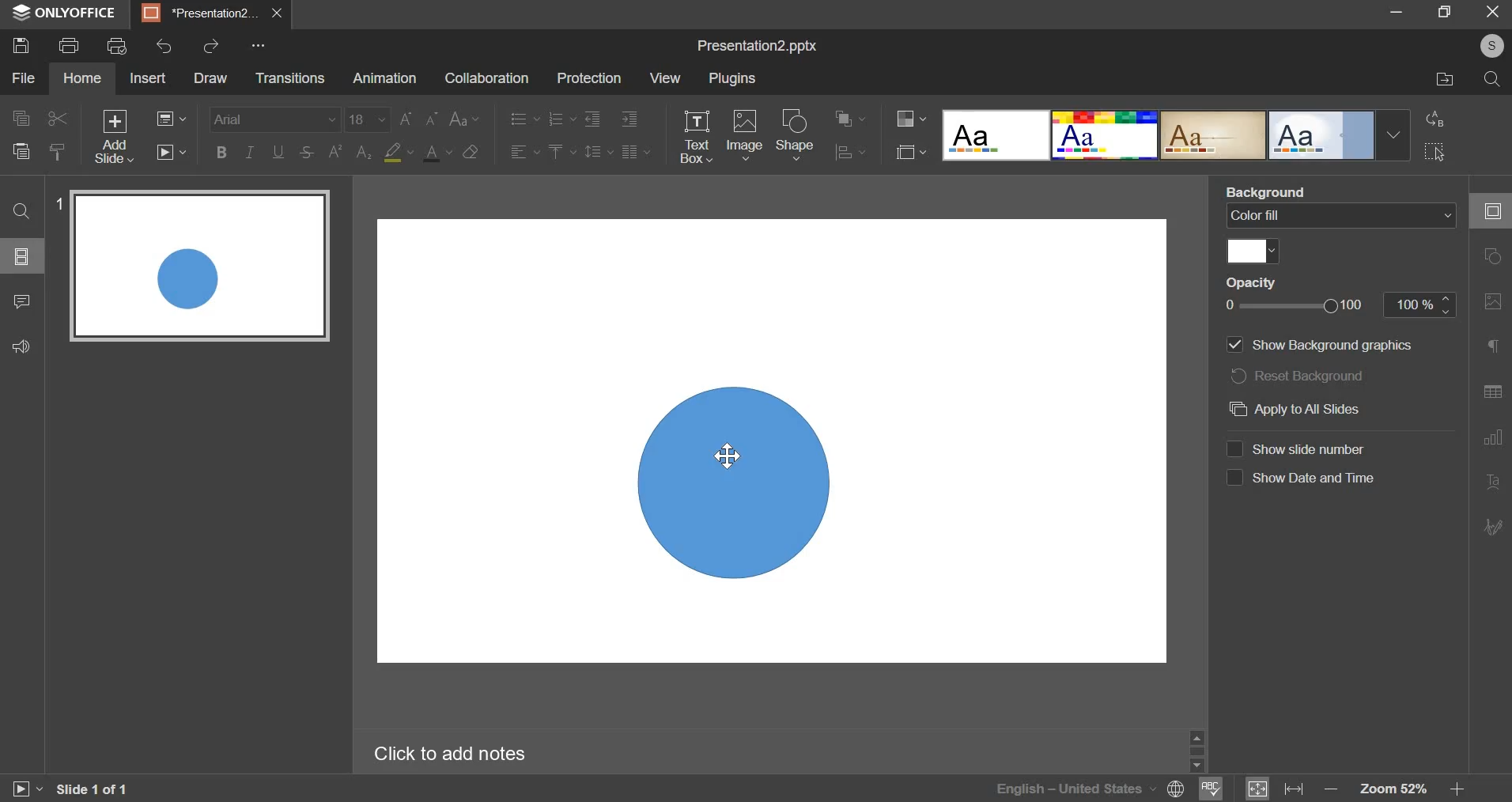 Image resolution: width=1512 pixels, height=802 pixels. I want to click on shape, so click(796, 135).